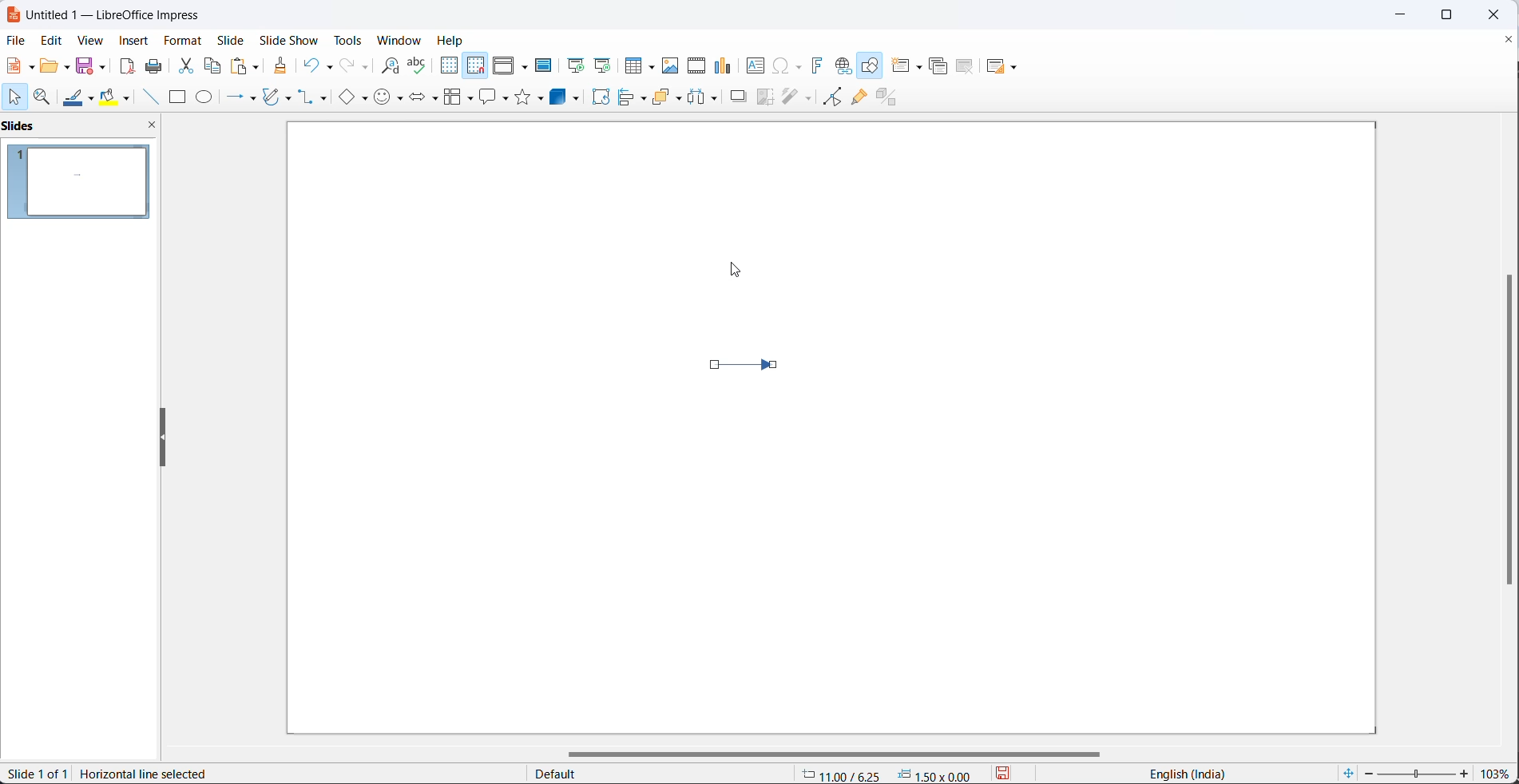 The height and width of the screenshot is (784, 1519). Describe the element at coordinates (871, 65) in the screenshot. I see `show draw functions` at that location.